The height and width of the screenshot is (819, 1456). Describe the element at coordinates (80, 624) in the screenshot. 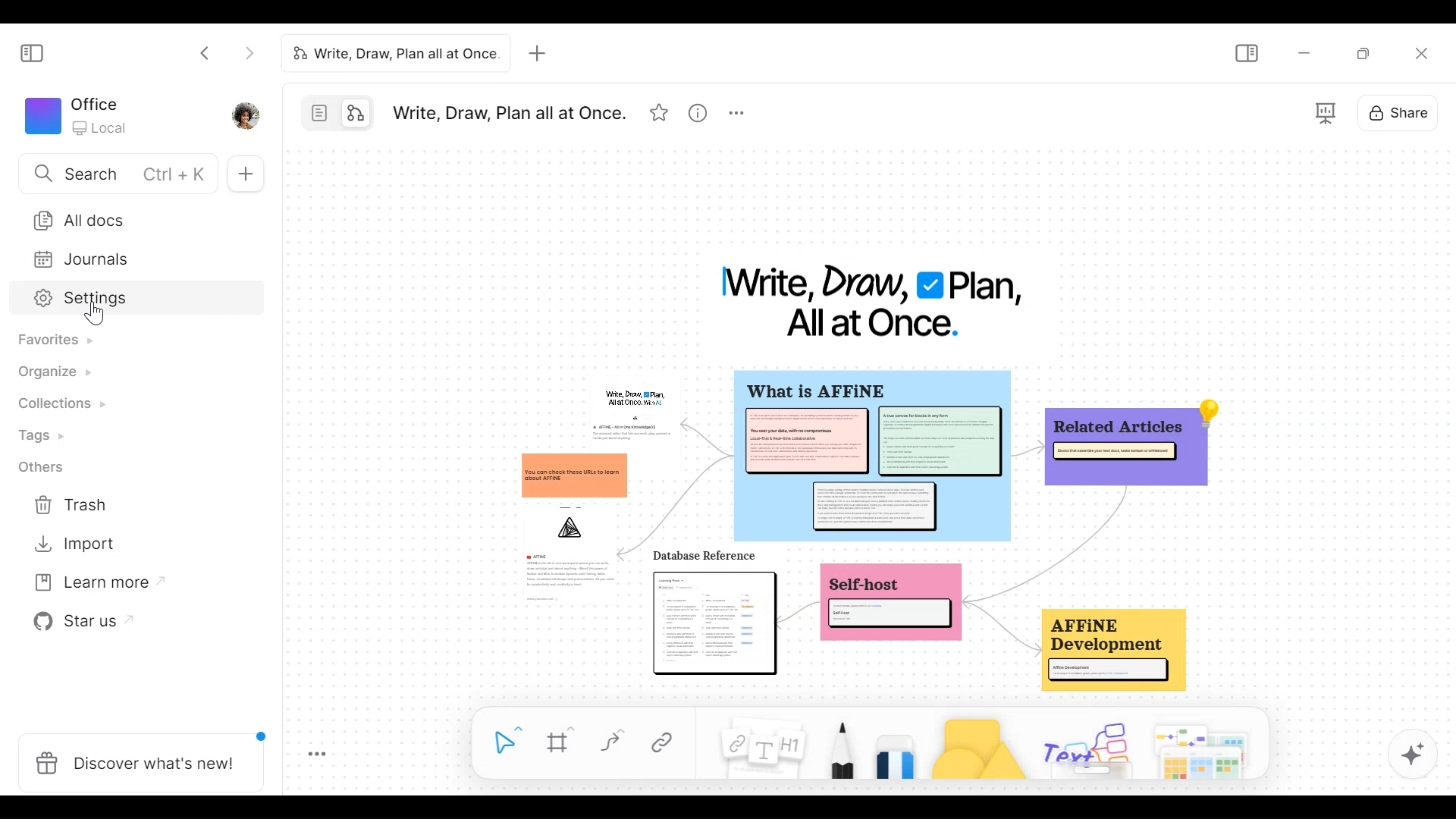

I see `Star us` at that location.